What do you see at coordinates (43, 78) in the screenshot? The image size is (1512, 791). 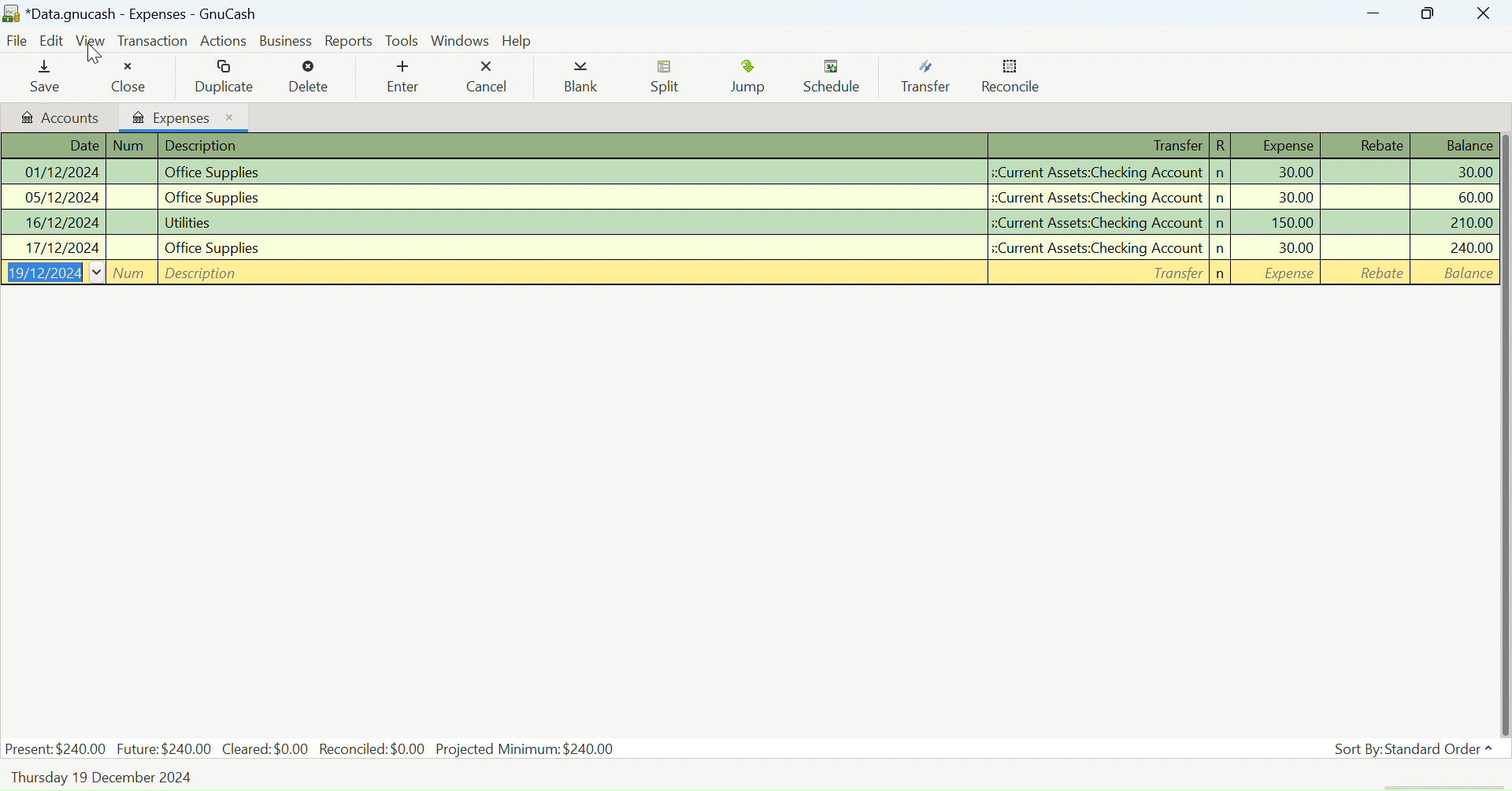 I see `Save` at bounding box center [43, 78].